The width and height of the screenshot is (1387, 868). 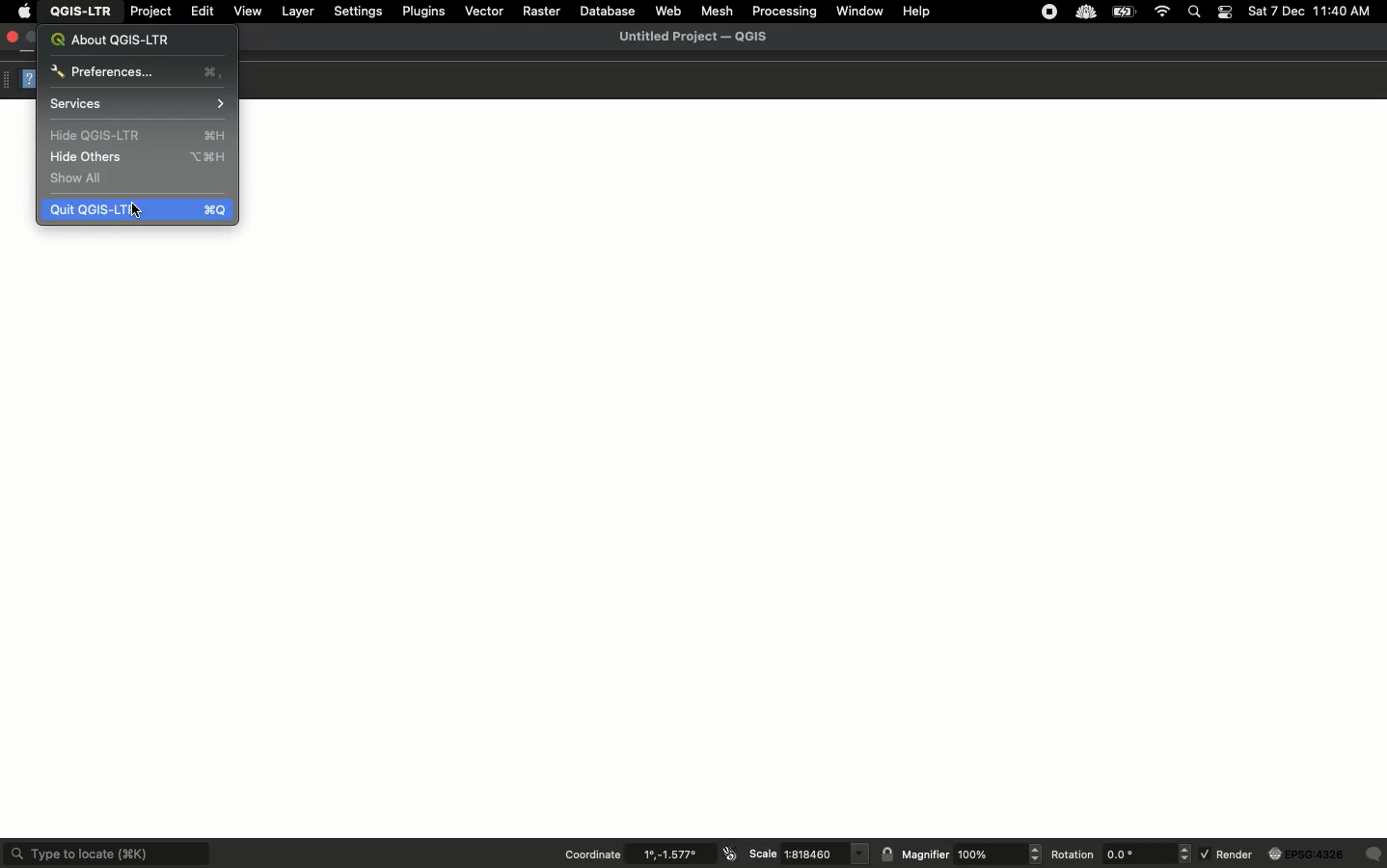 What do you see at coordinates (360, 13) in the screenshot?
I see `Settings` at bounding box center [360, 13].